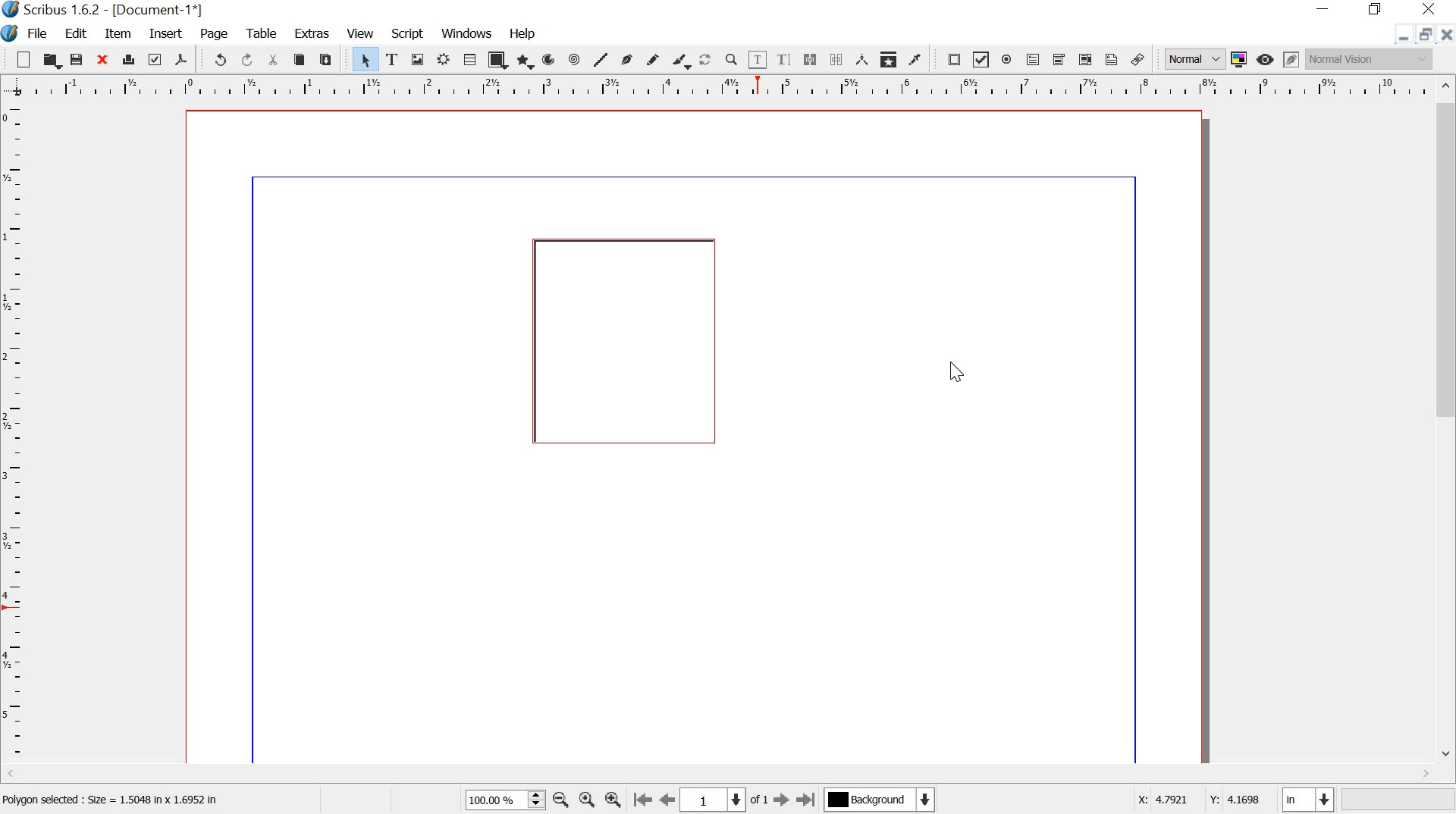  Describe the element at coordinates (272, 59) in the screenshot. I see `cut` at that location.